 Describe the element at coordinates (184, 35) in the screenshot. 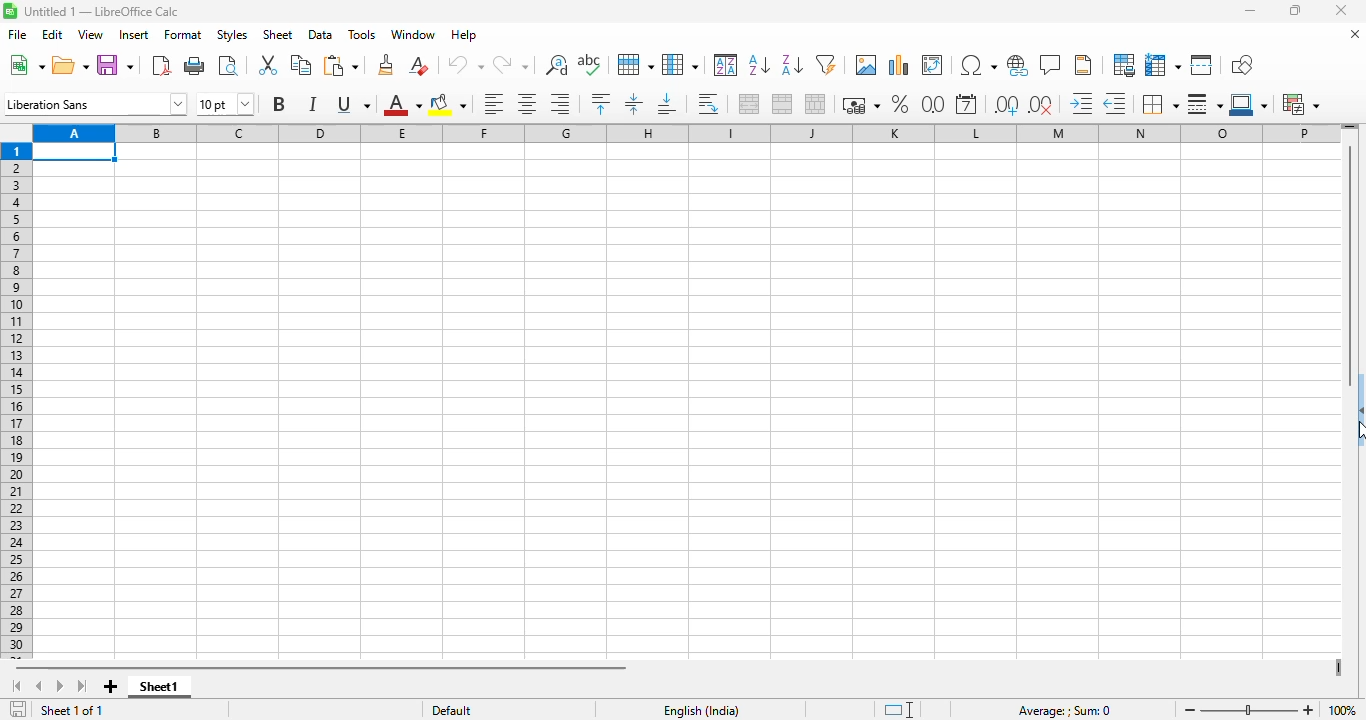

I see `format` at that location.